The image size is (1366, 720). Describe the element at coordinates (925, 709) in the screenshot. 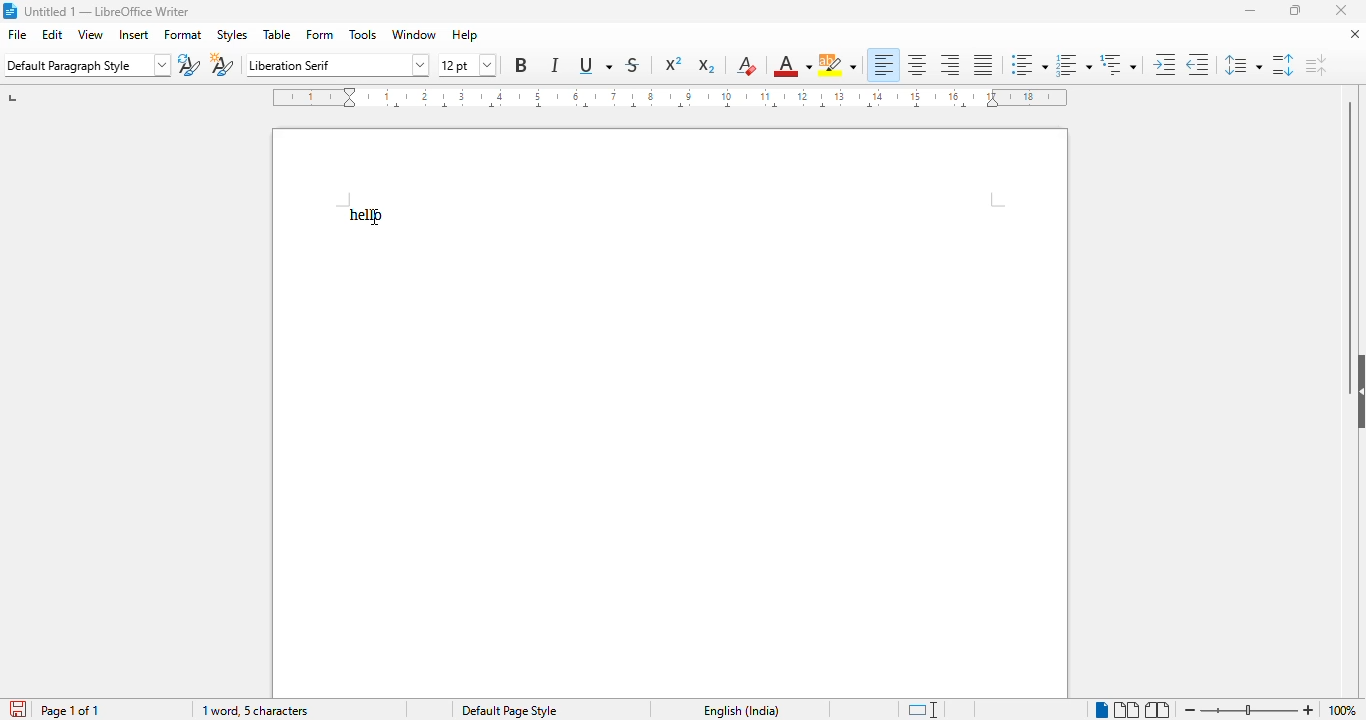

I see `standard selection` at that location.